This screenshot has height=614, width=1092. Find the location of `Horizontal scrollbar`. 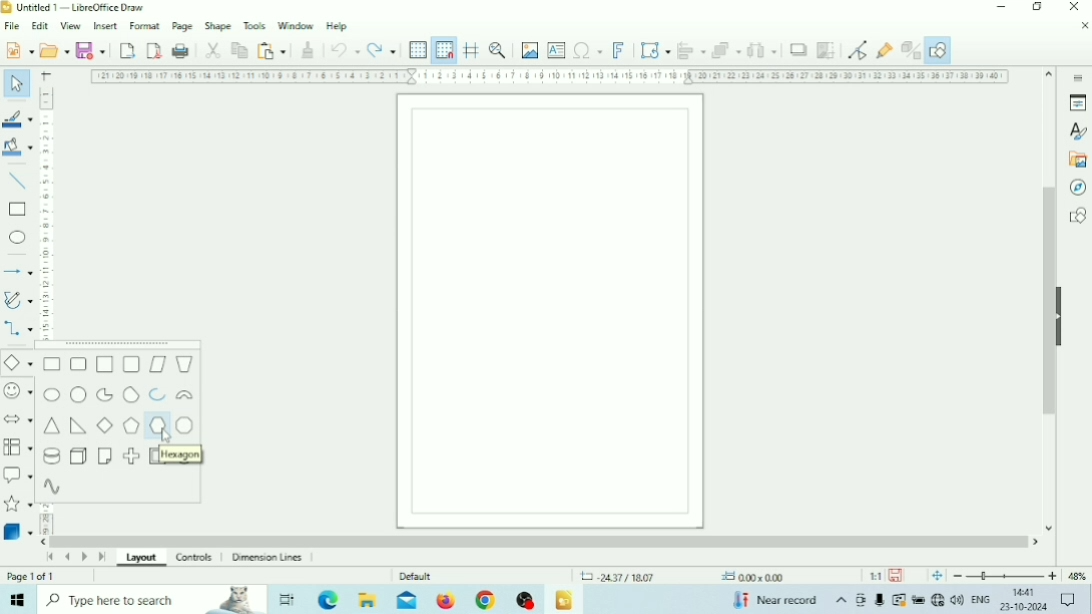

Horizontal scrollbar is located at coordinates (540, 541).